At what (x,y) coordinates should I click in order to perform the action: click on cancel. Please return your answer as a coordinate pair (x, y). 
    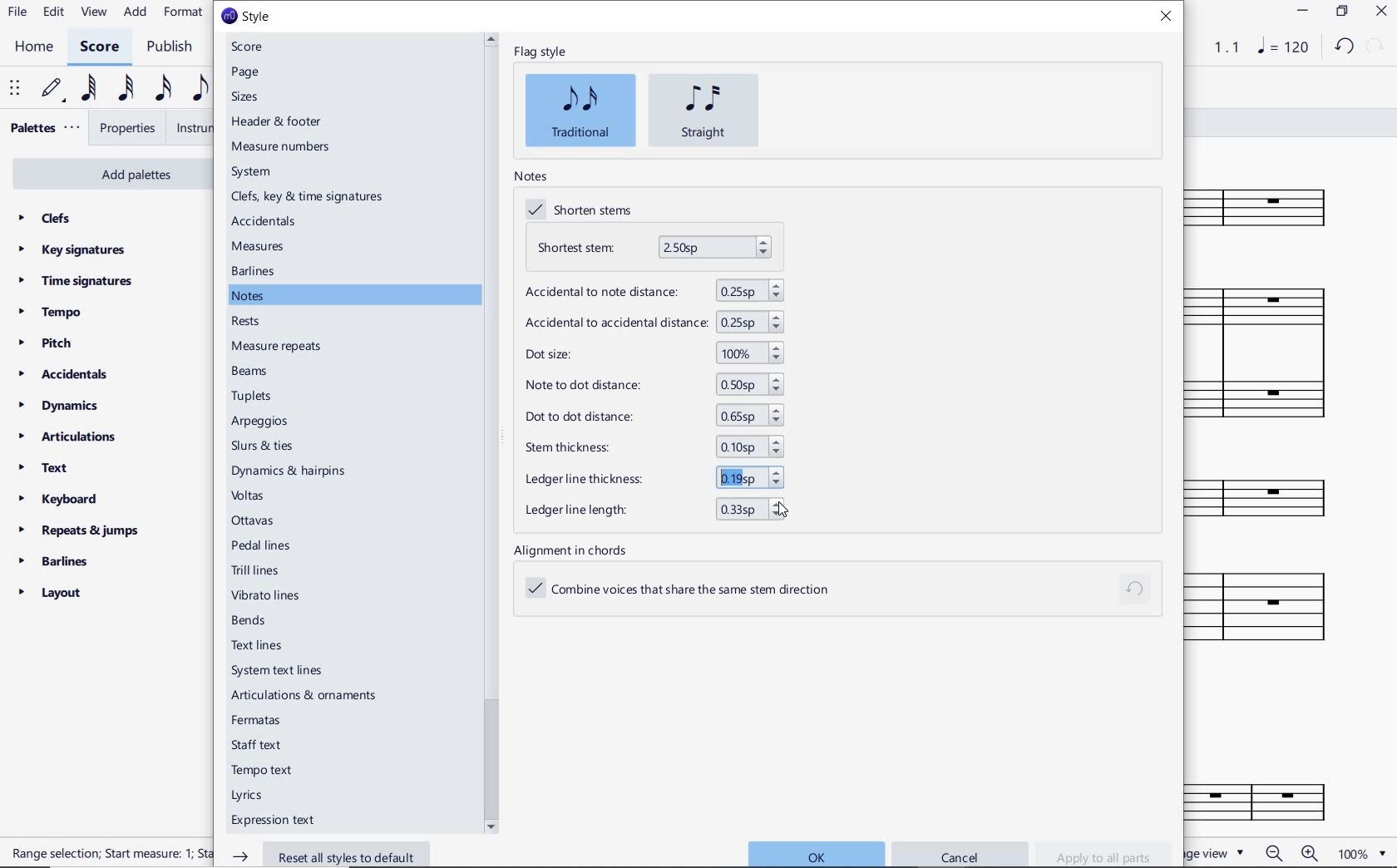
    Looking at the image, I should click on (960, 856).